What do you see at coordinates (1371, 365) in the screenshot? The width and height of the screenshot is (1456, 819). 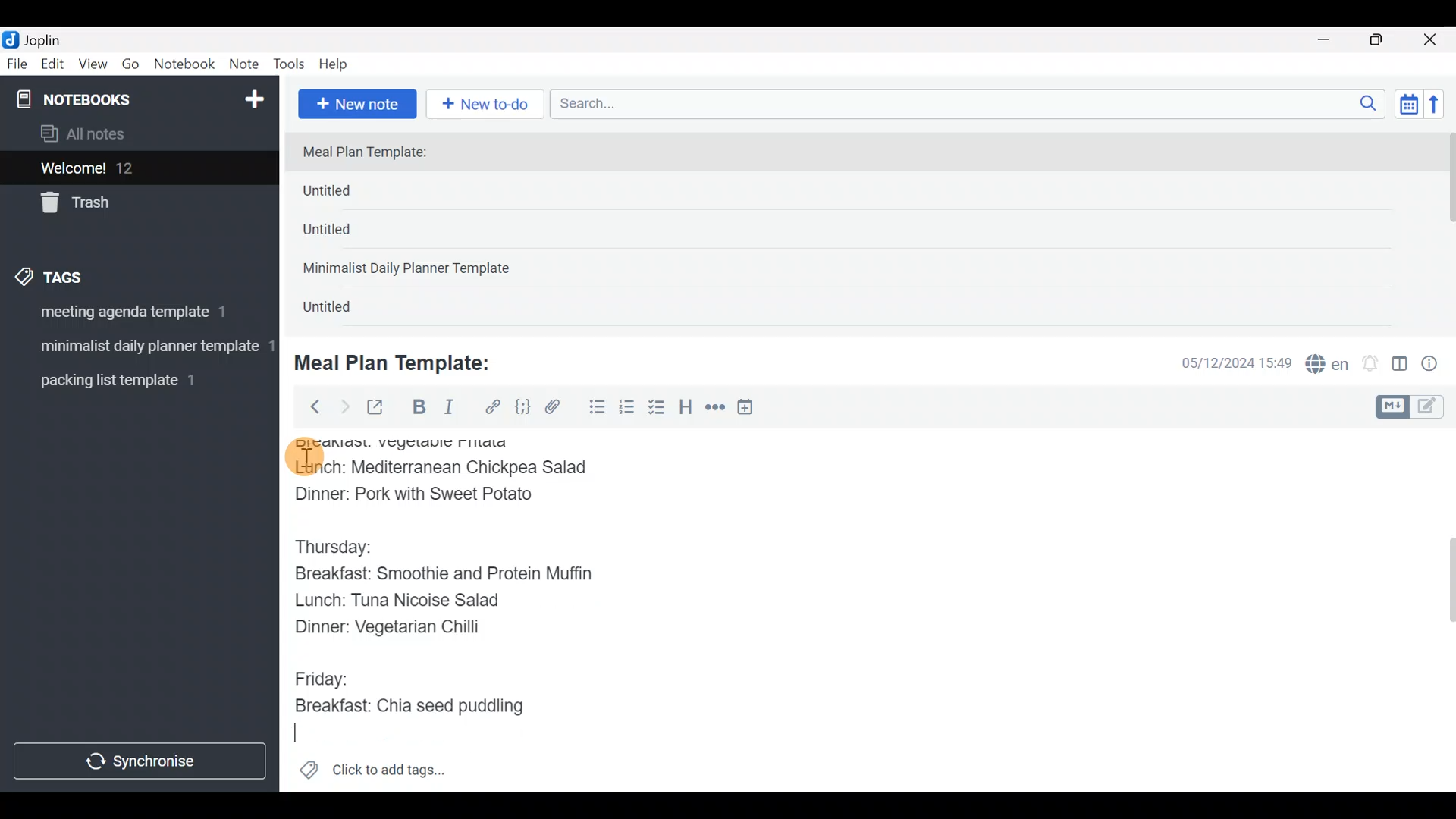 I see `Set alarm` at bounding box center [1371, 365].